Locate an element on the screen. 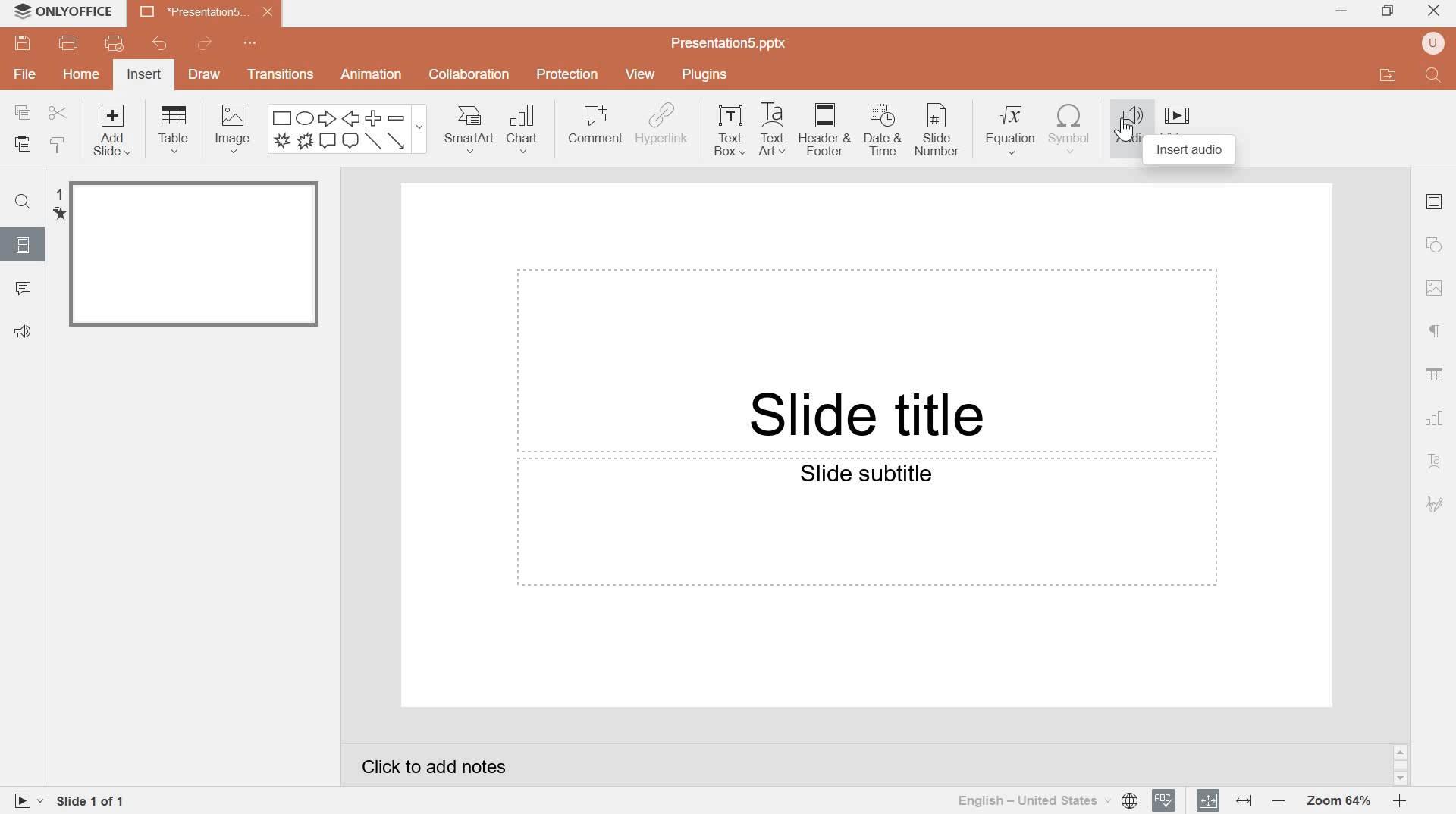 This screenshot has height=814, width=1456. start slideshow is located at coordinates (26, 800).